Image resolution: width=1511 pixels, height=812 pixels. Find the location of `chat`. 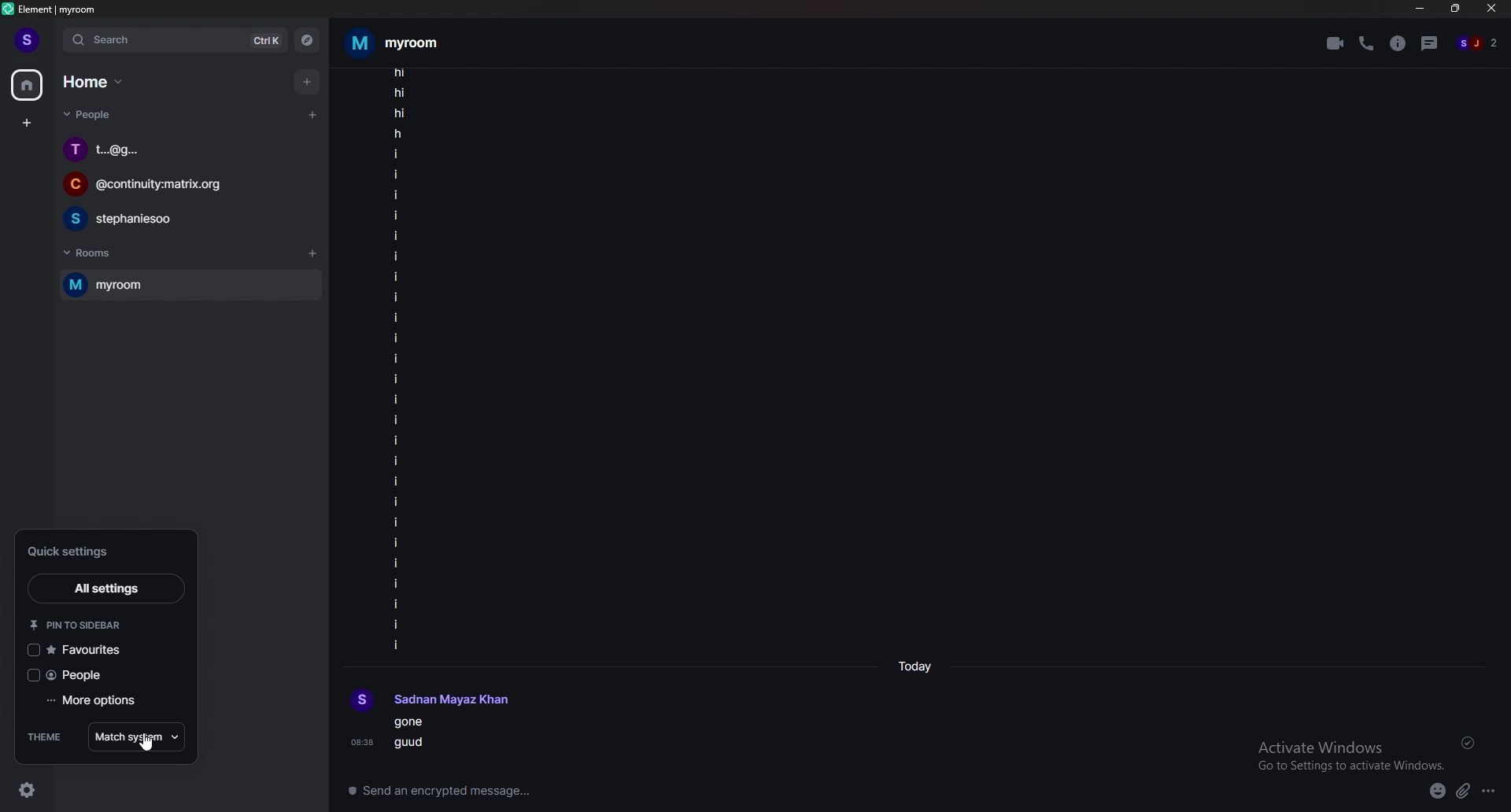

chat is located at coordinates (174, 183).